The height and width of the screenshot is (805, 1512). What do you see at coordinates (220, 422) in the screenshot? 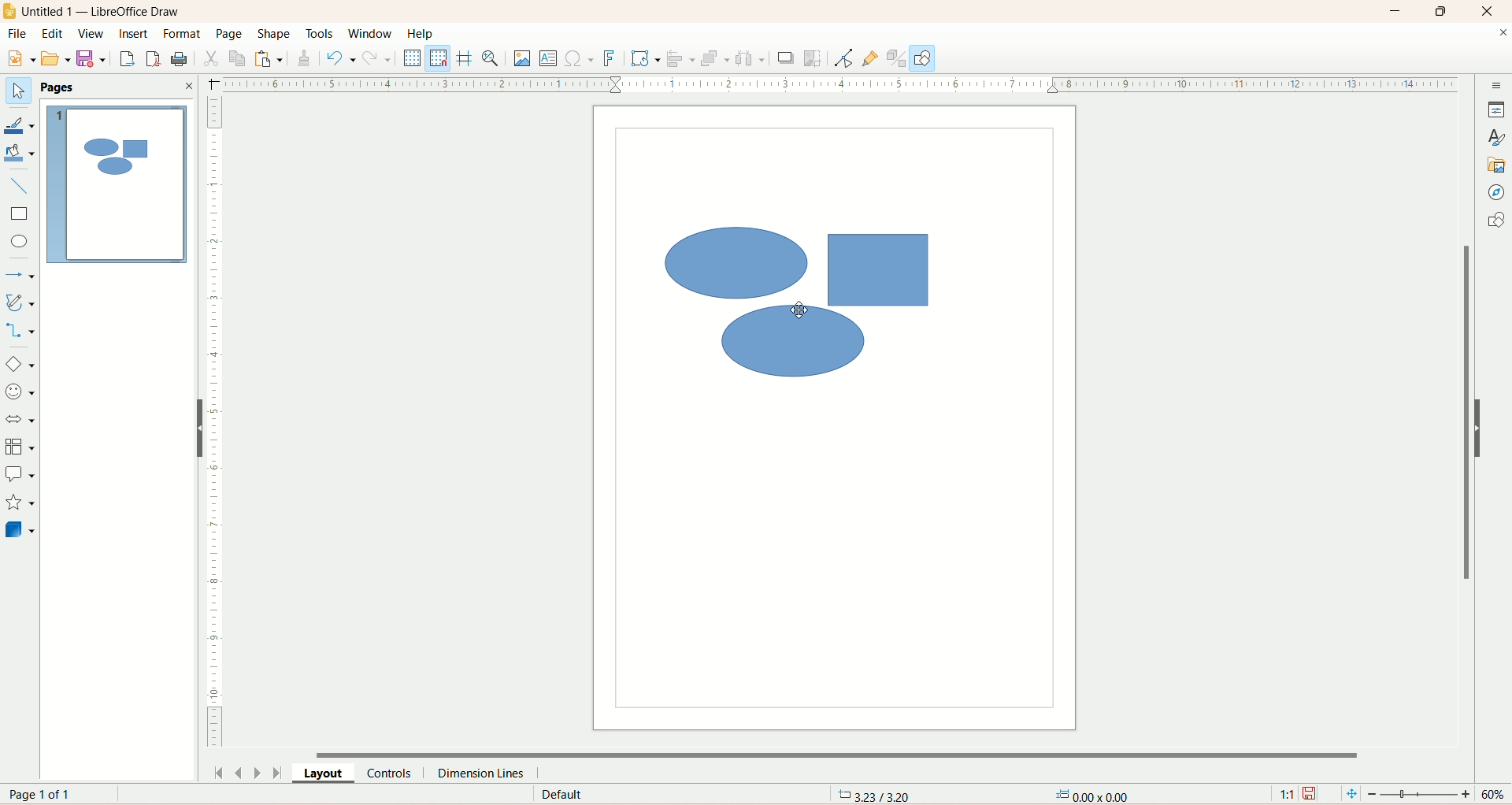
I see `scale bar` at bounding box center [220, 422].